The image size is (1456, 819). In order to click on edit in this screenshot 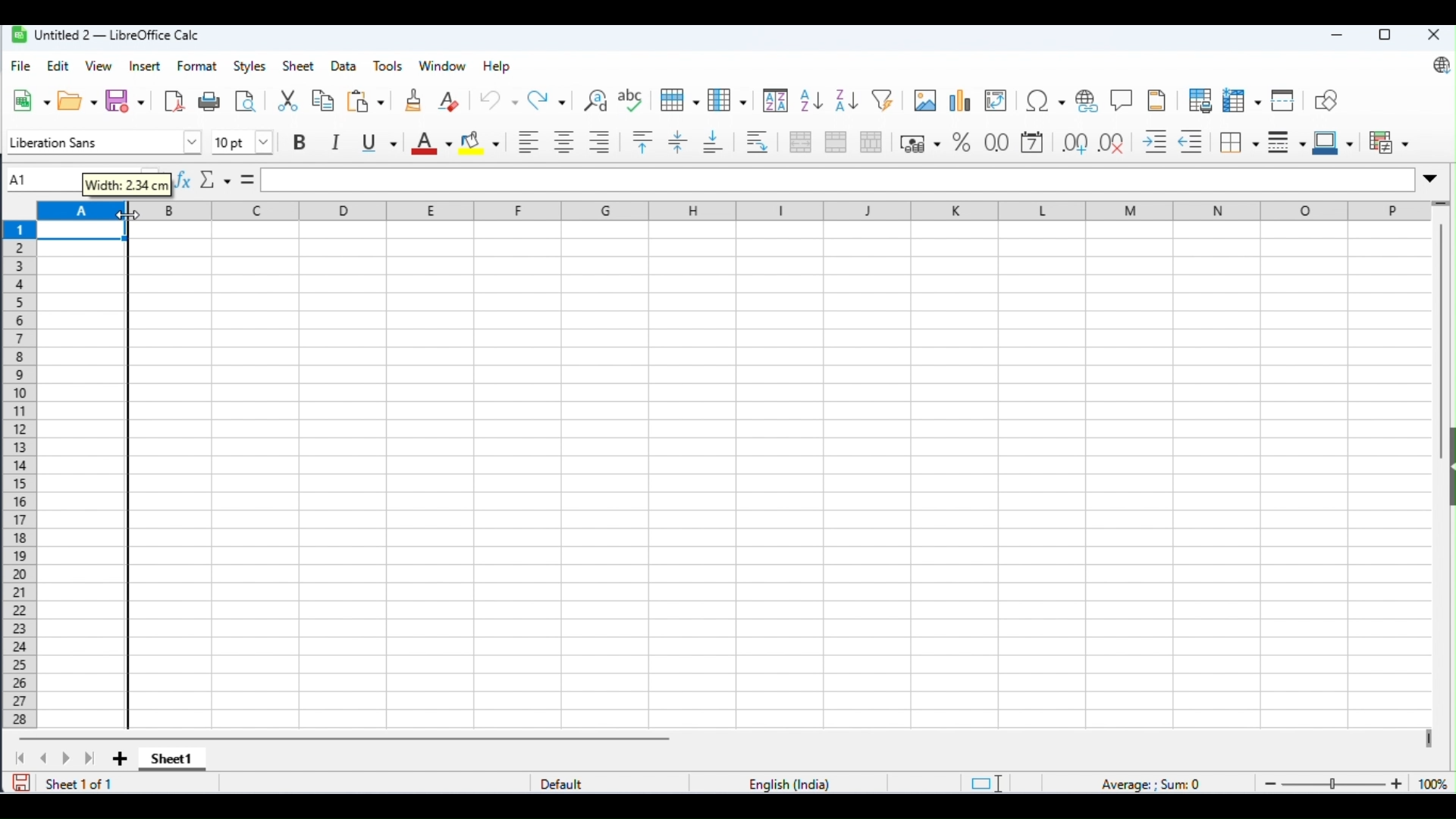, I will do `click(60, 67)`.